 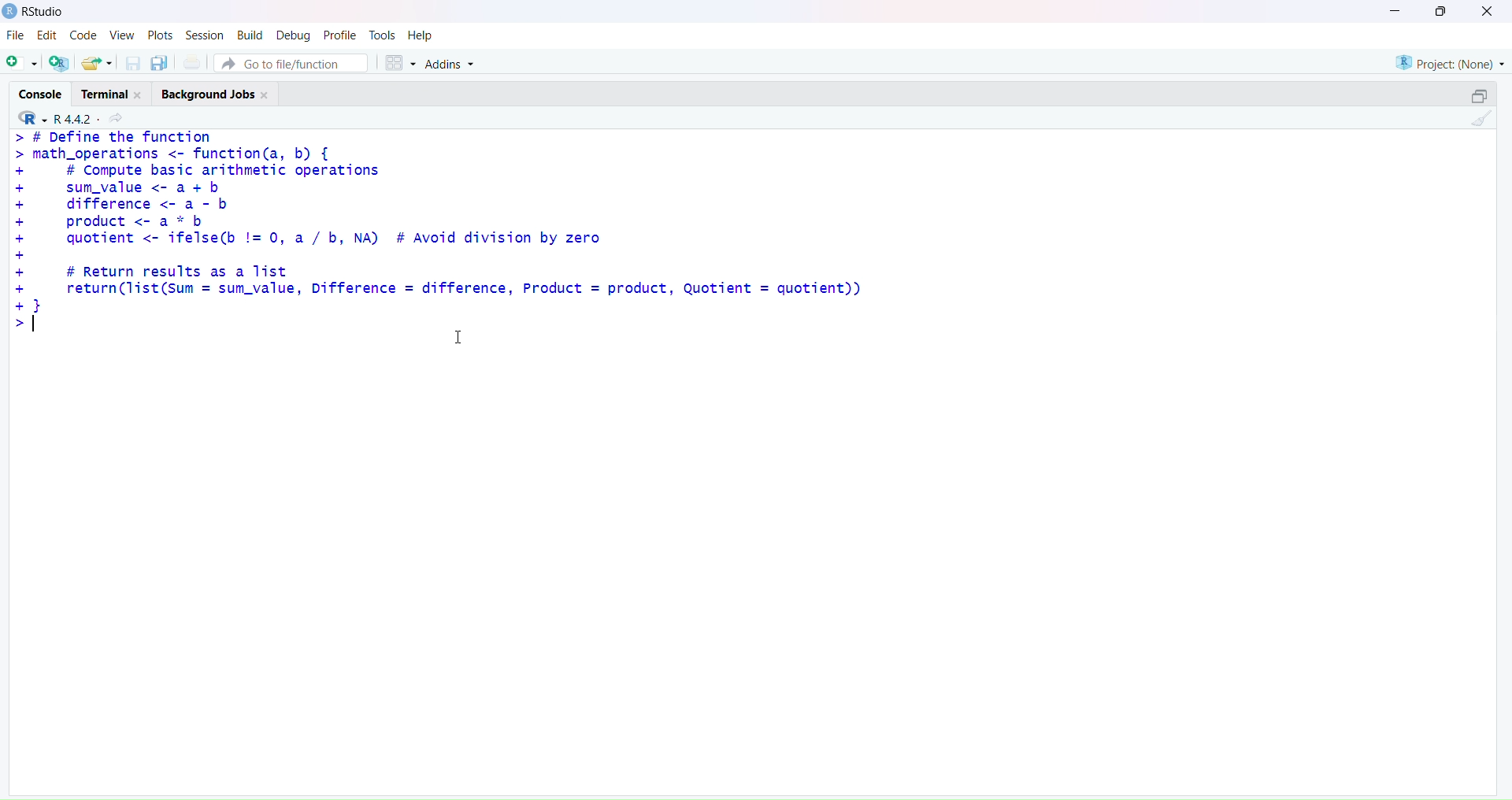 What do you see at coordinates (1479, 93) in the screenshot?
I see `Maximize` at bounding box center [1479, 93].